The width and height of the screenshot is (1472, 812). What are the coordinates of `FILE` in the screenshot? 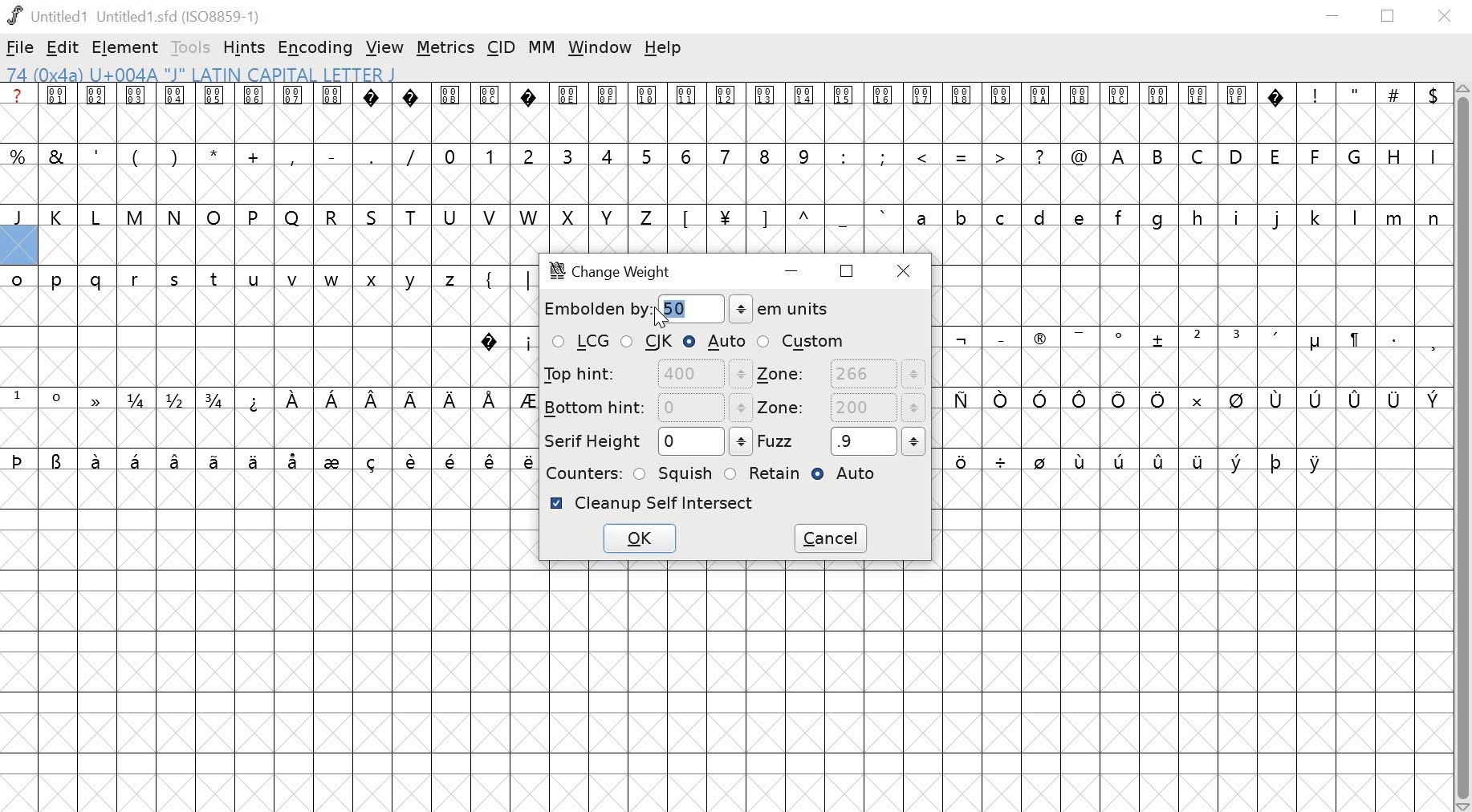 It's located at (20, 47).